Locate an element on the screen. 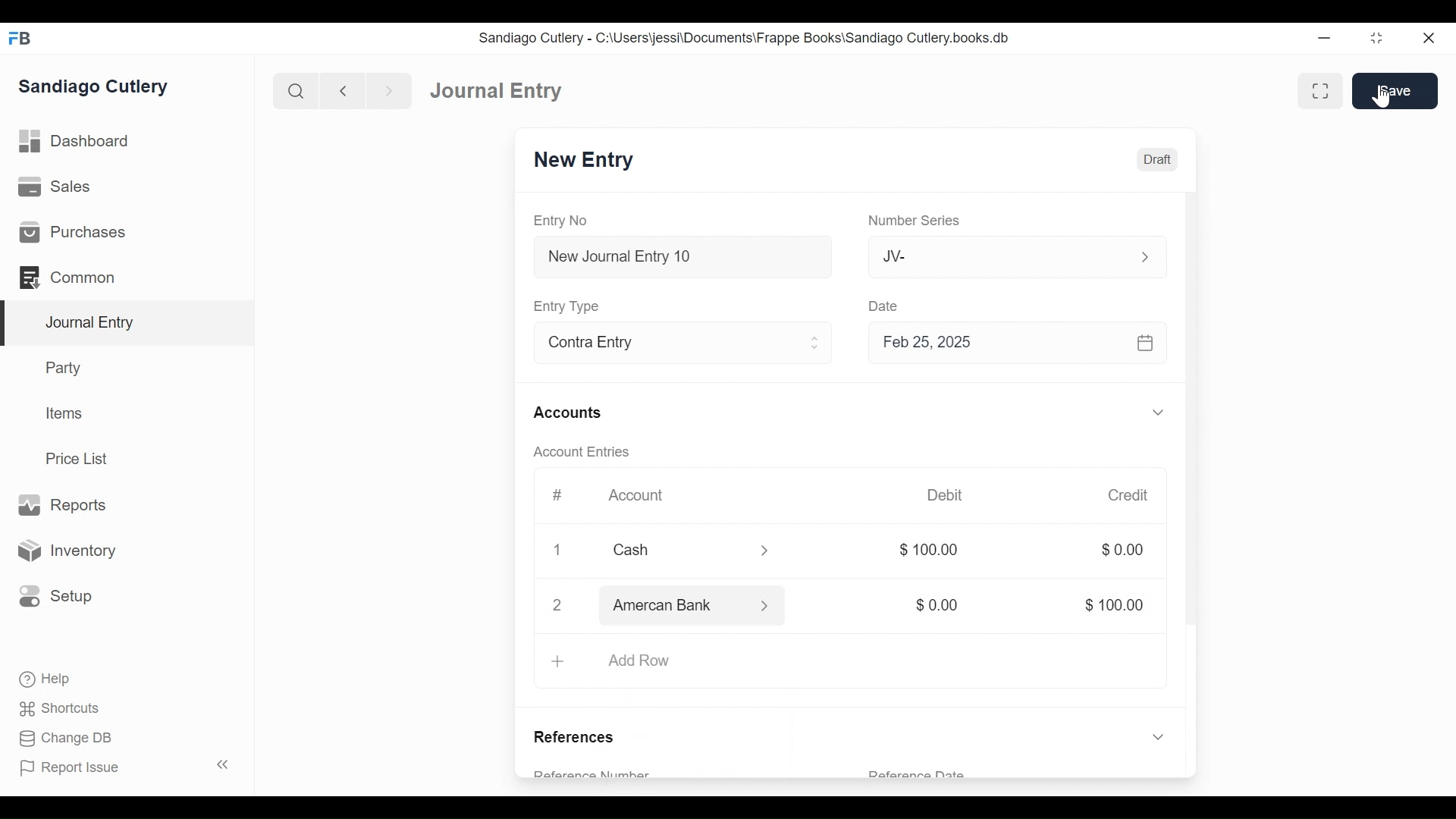  Common is located at coordinates (68, 276).